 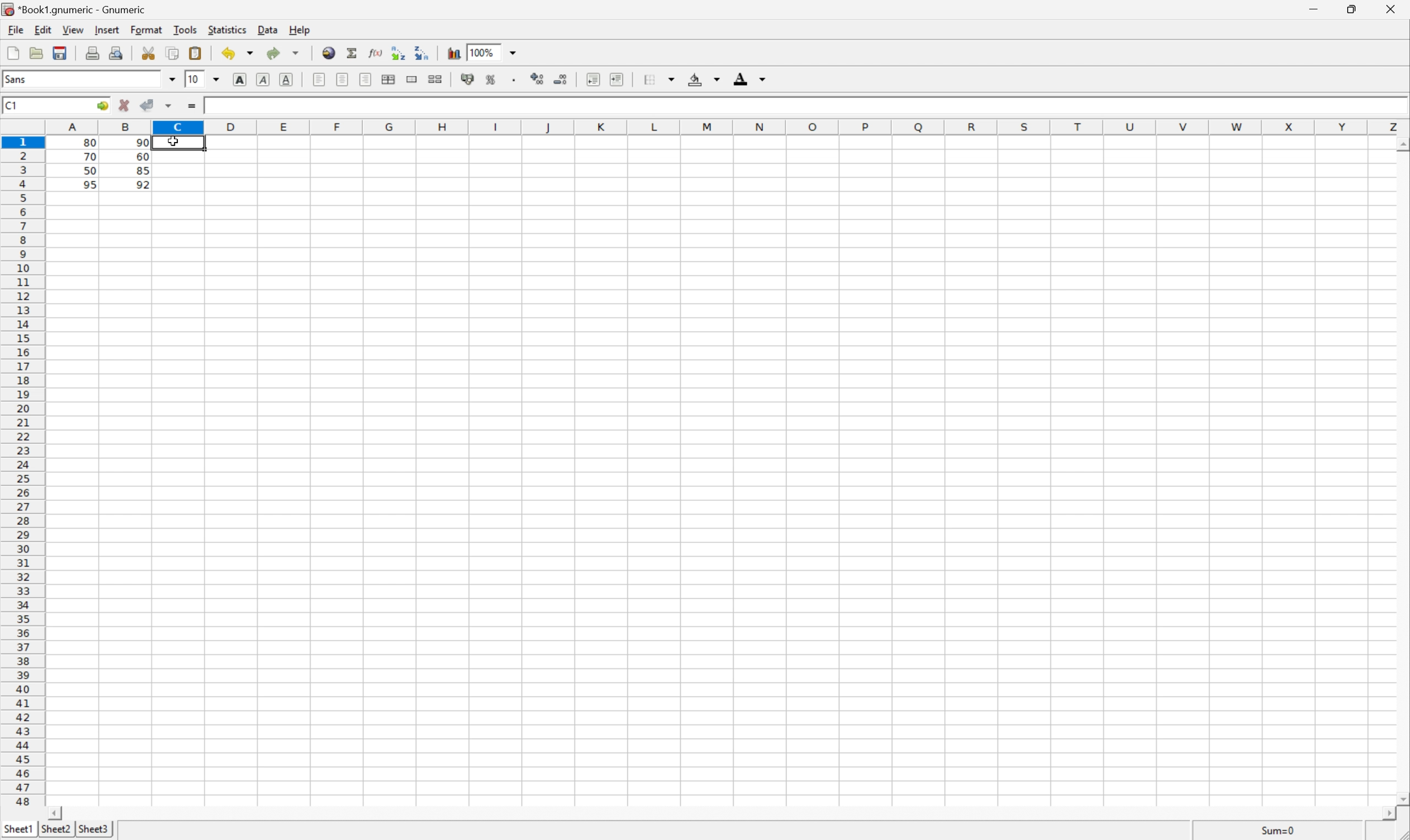 I want to click on Help, so click(x=300, y=31).